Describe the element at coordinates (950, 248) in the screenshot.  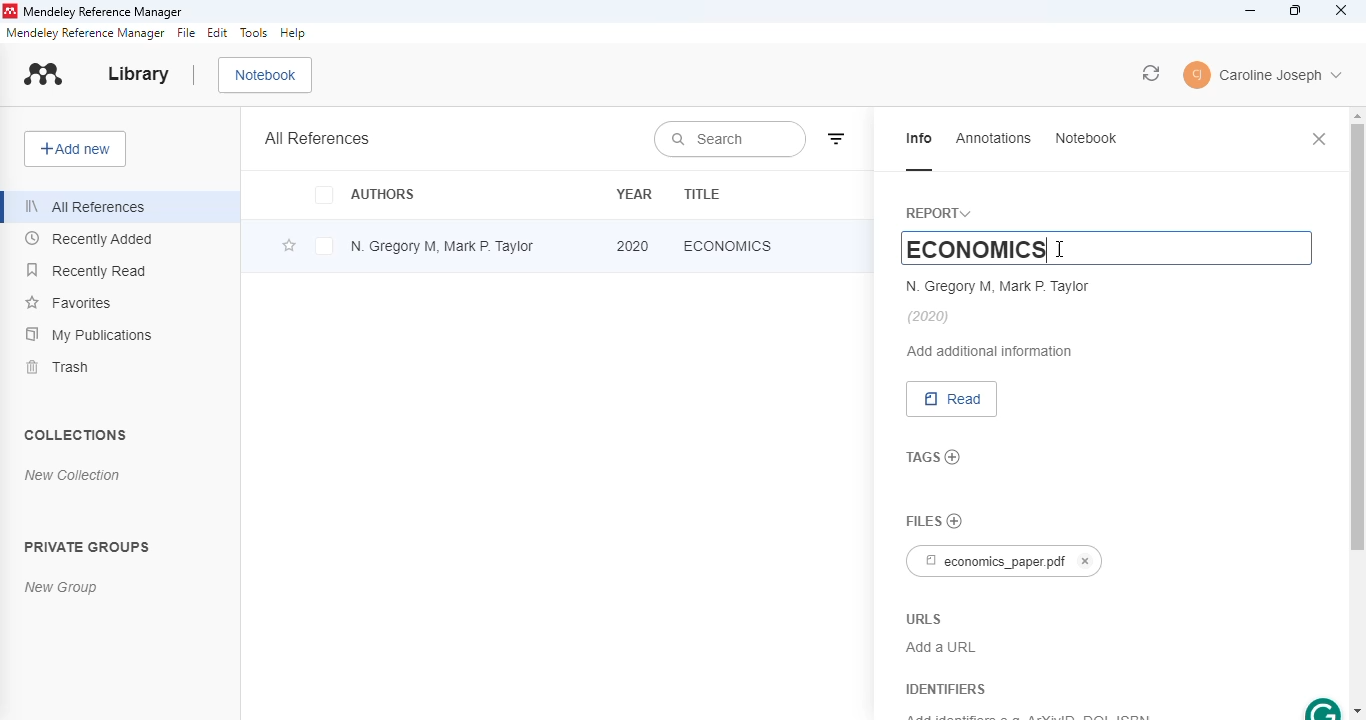
I see `ECONOMICS` at that location.